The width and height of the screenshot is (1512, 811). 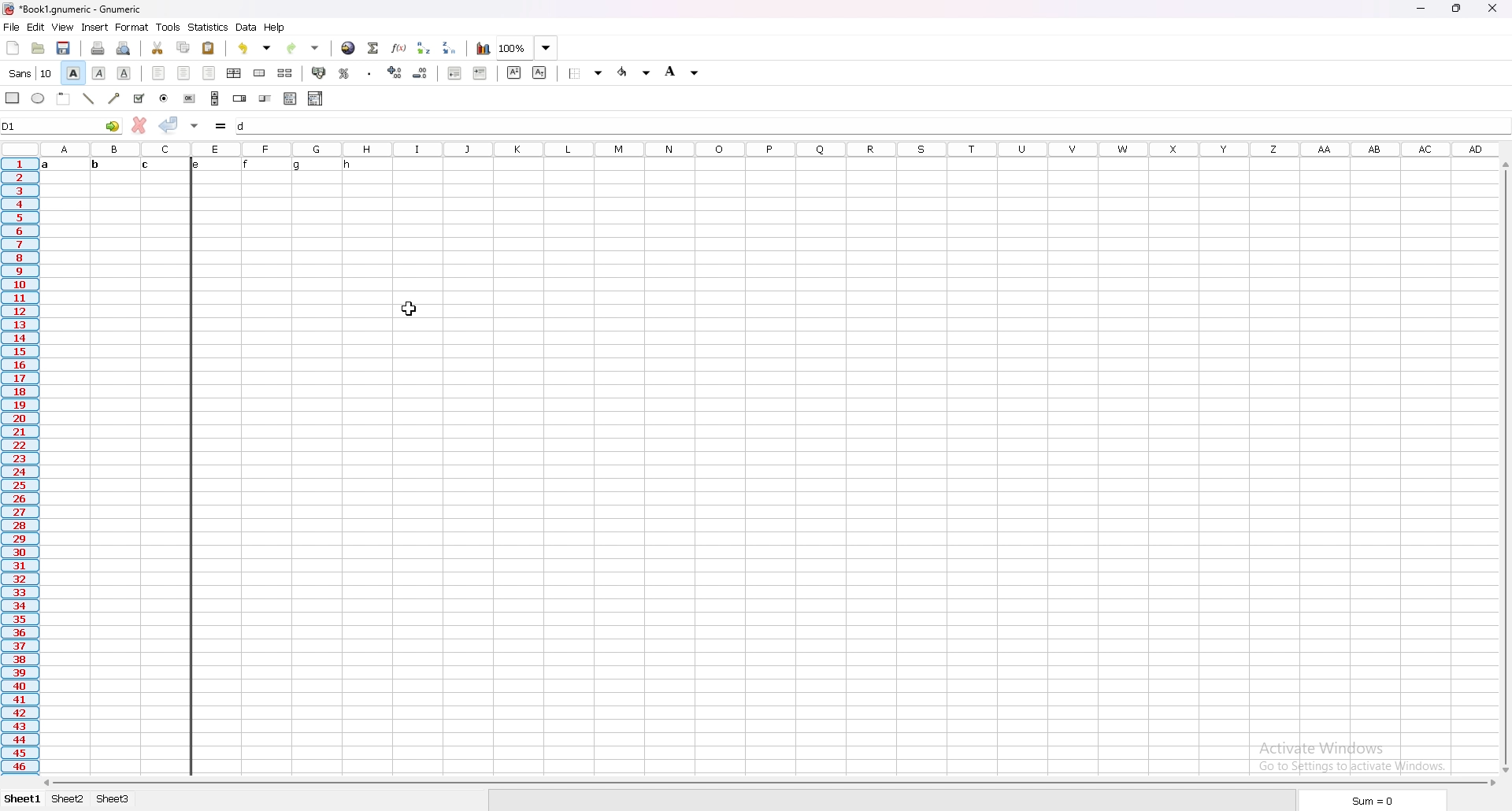 What do you see at coordinates (158, 72) in the screenshot?
I see `left align` at bounding box center [158, 72].